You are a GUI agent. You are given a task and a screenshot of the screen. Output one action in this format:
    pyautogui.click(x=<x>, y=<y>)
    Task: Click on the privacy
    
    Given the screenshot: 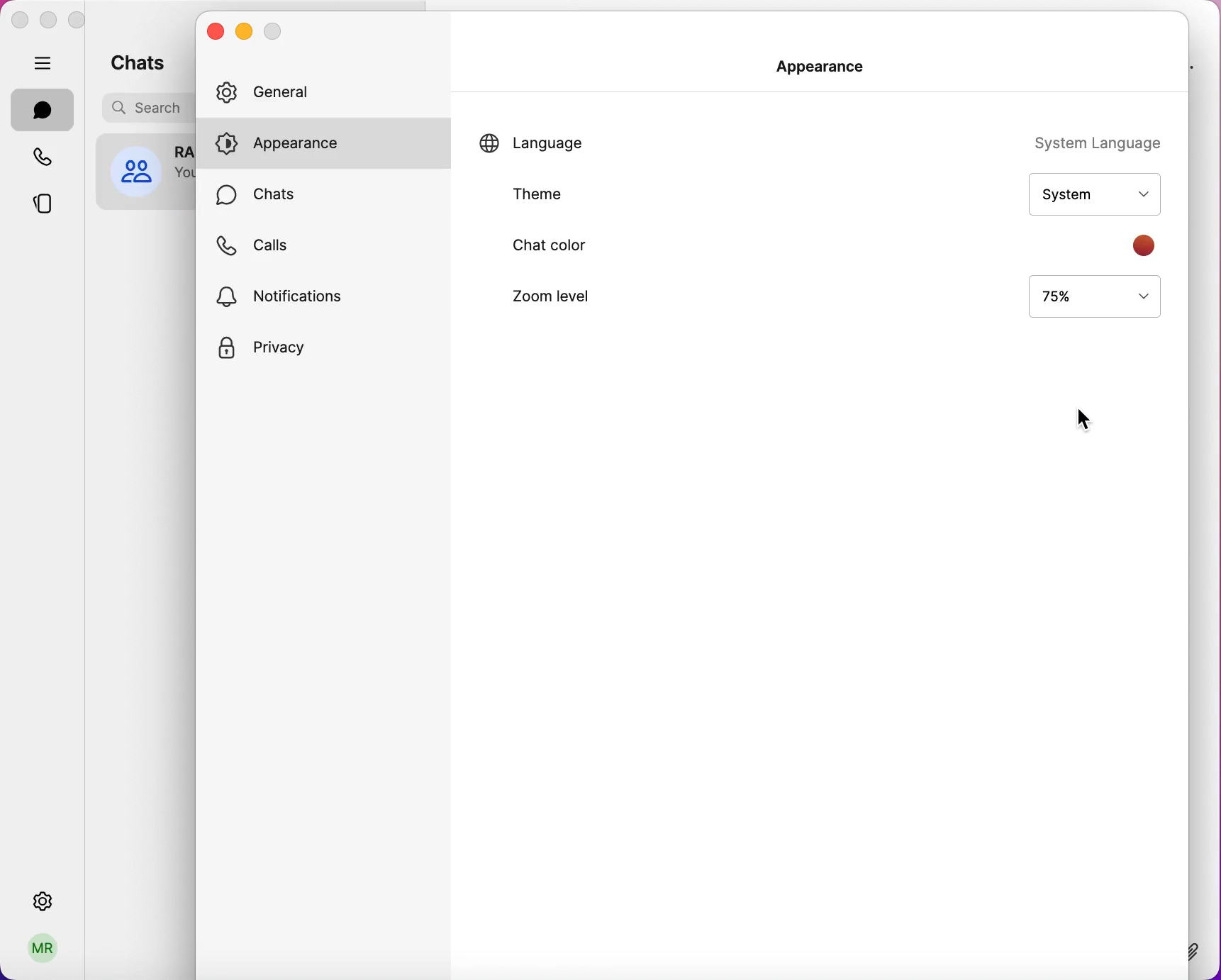 What is the action you would take?
    pyautogui.click(x=294, y=352)
    